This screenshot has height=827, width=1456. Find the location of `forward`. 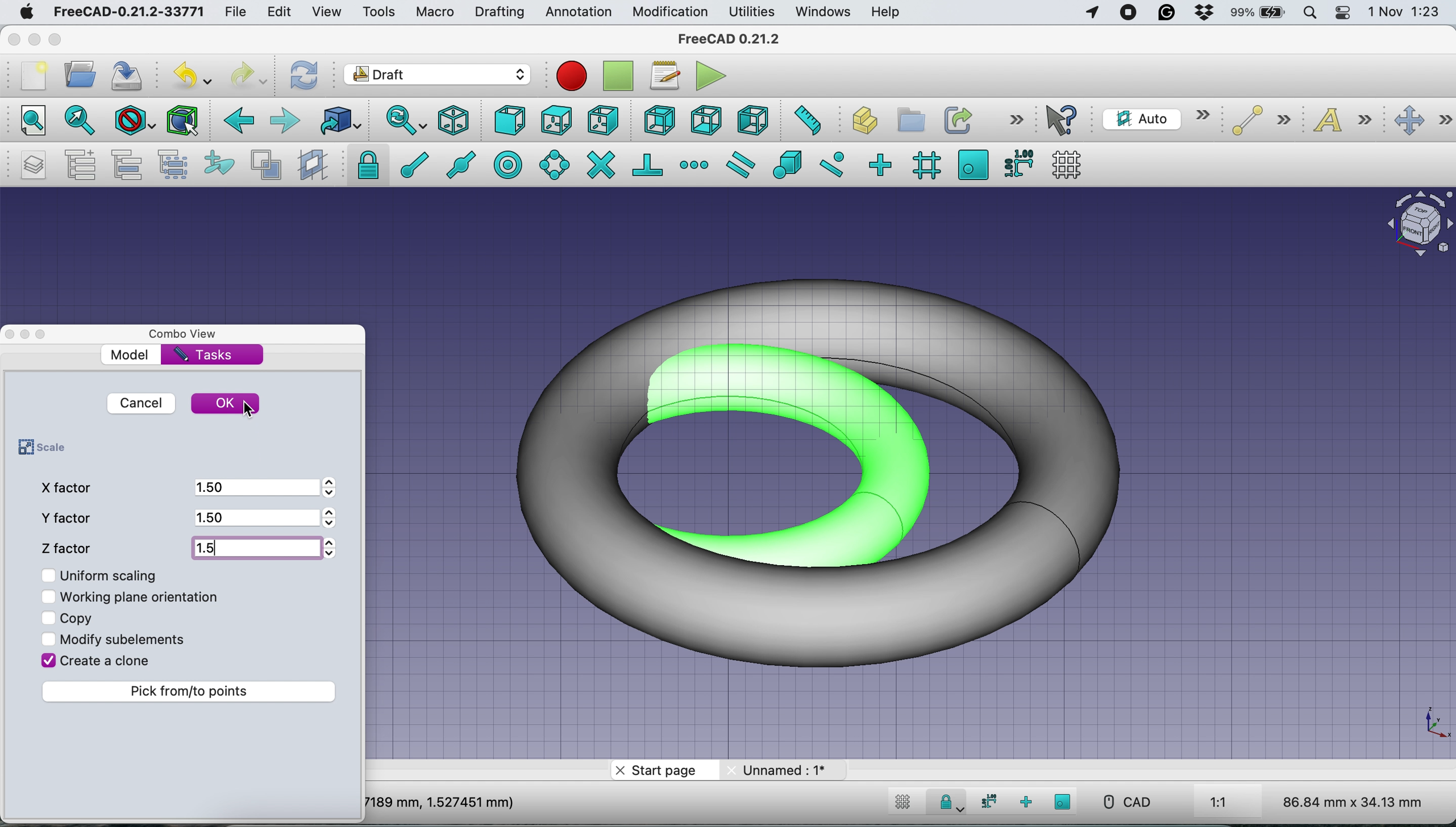

forward is located at coordinates (286, 122).